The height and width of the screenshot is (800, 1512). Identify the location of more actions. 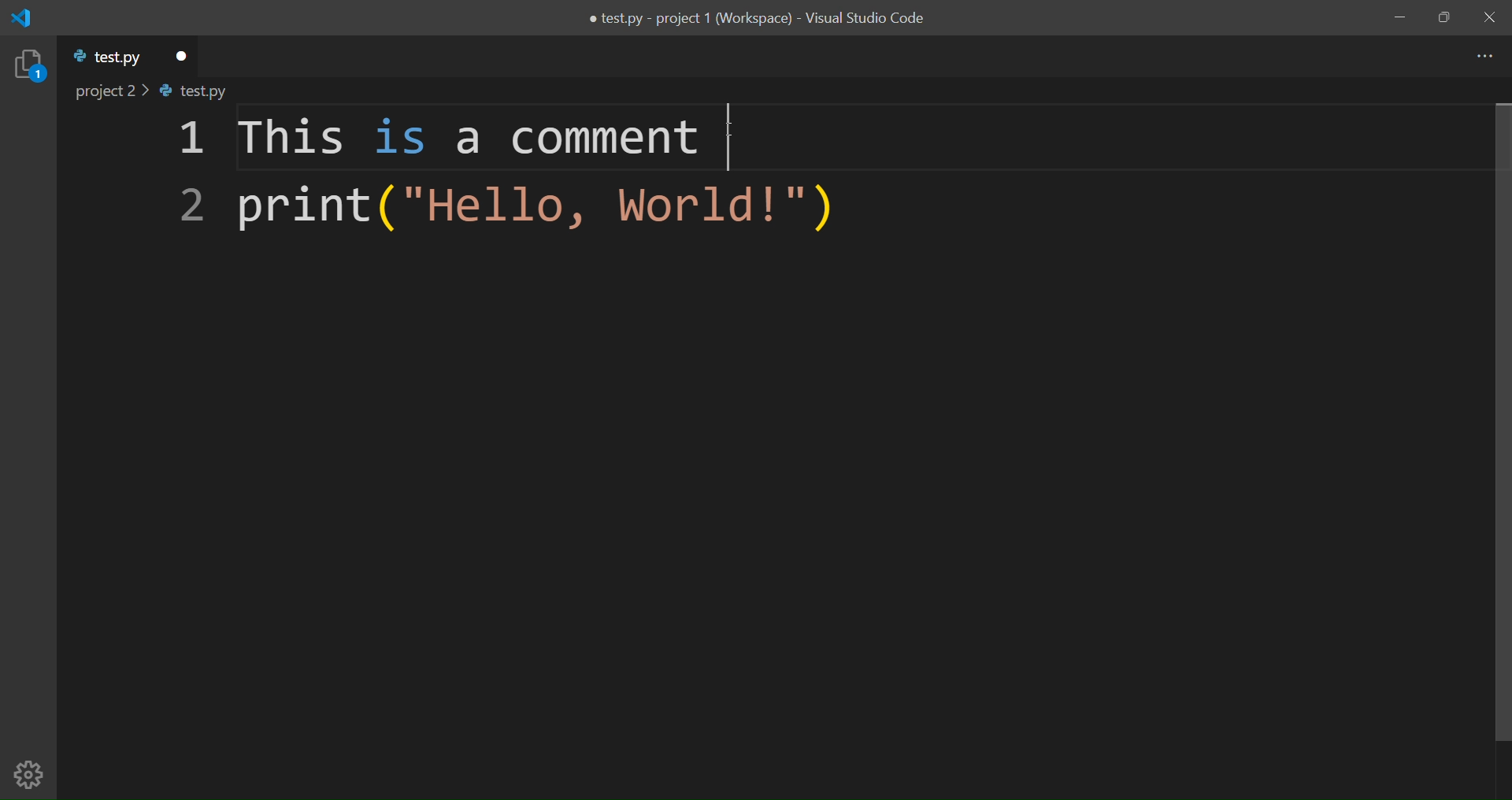
(1481, 56).